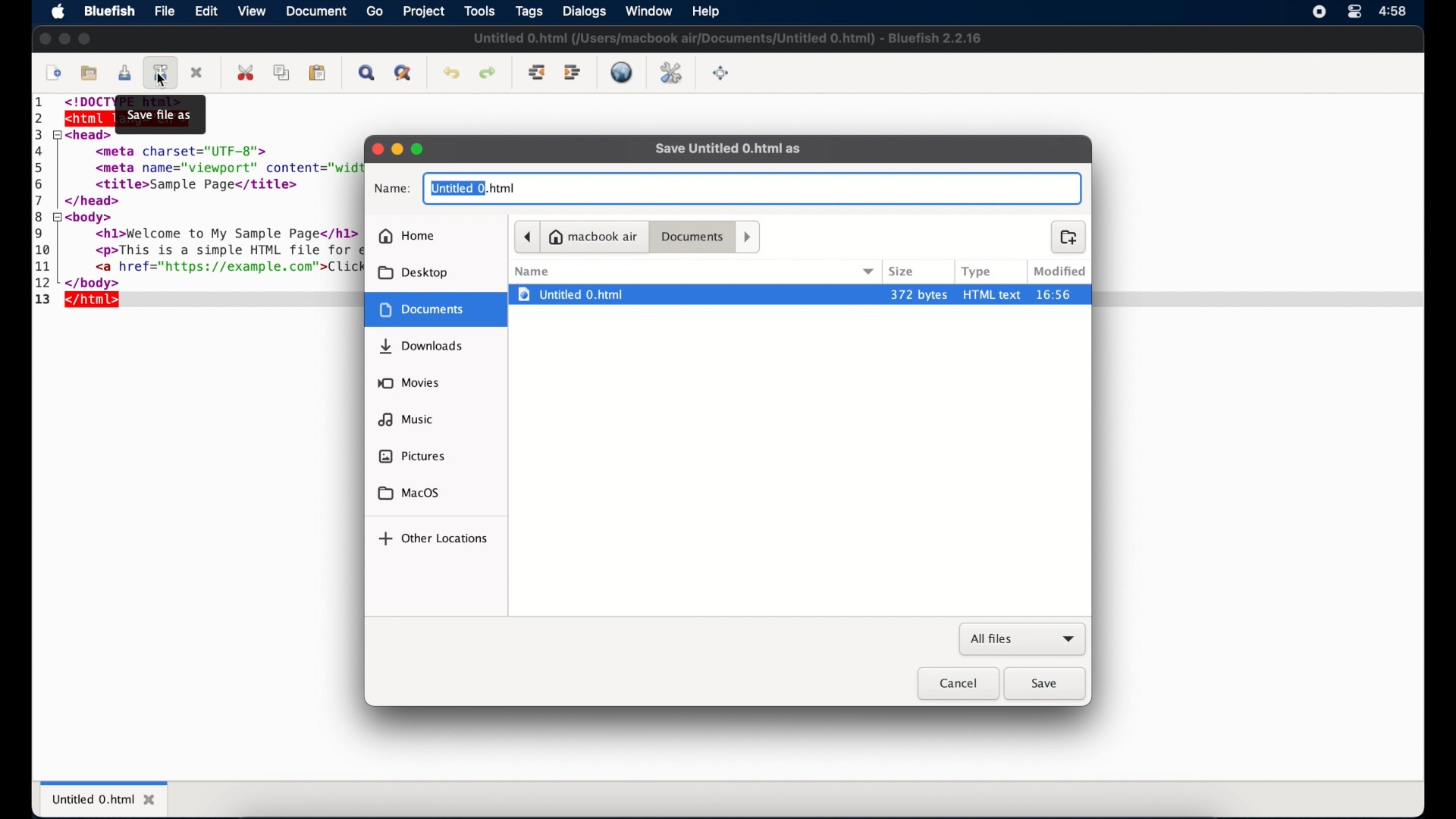  What do you see at coordinates (902, 271) in the screenshot?
I see `size` at bounding box center [902, 271].